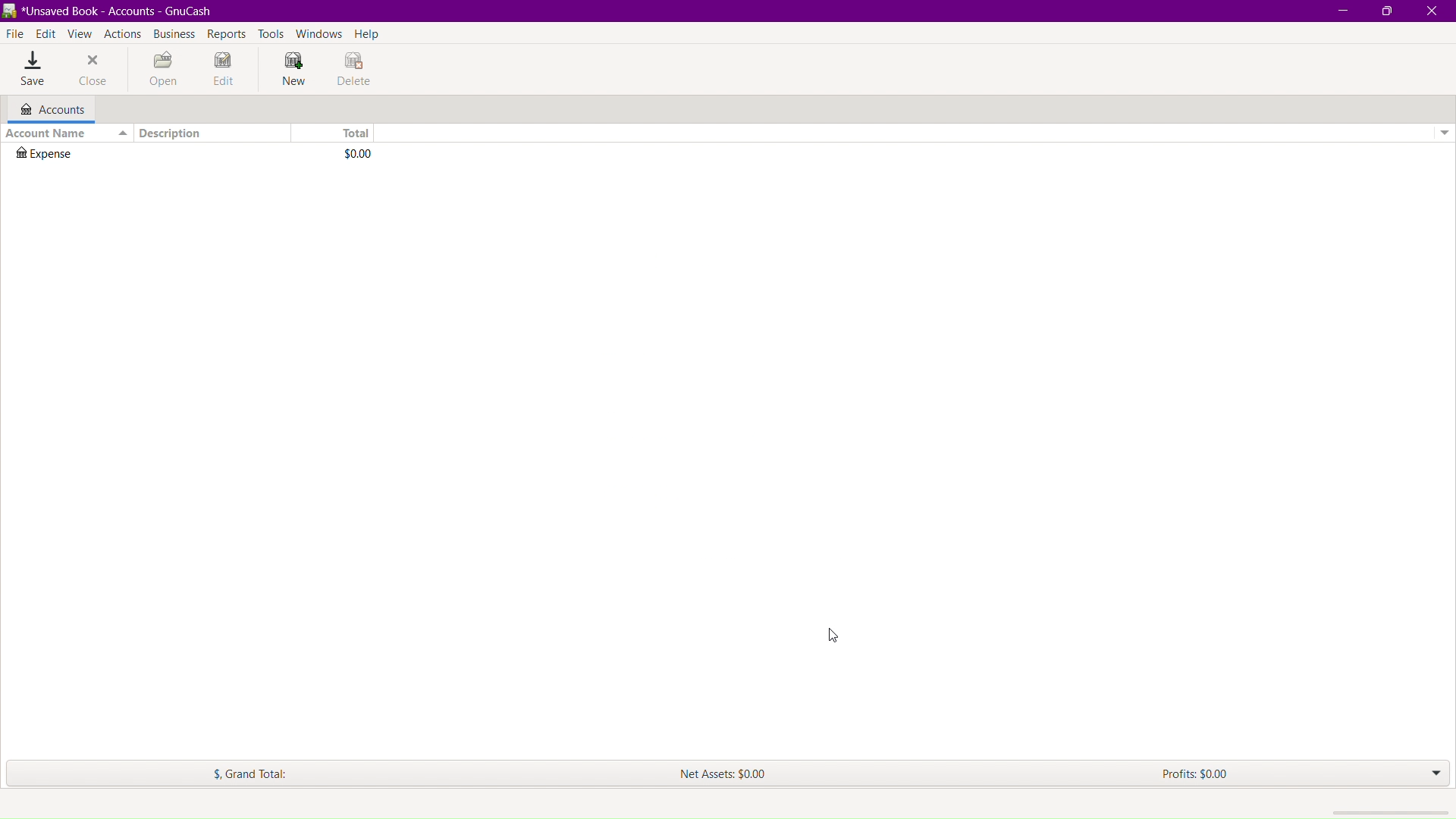 Image resolution: width=1456 pixels, height=819 pixels. Describe the element at coordinates (1386, 11) in the screenshot. I see `Maximize` at that location.